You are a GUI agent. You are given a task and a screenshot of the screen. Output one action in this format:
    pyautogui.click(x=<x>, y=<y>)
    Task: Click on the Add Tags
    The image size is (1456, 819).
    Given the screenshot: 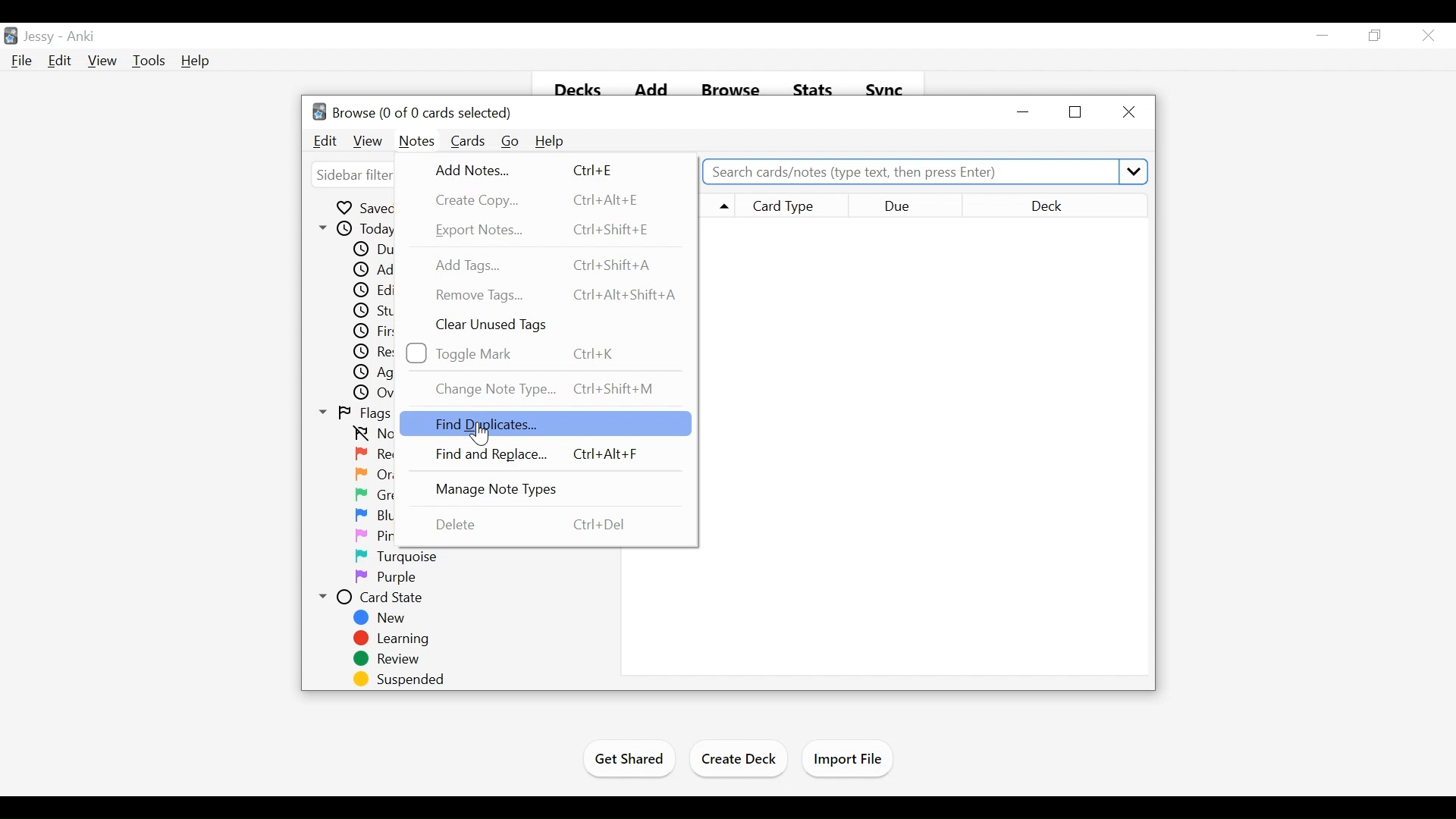 What is the action you would take?
    pyautogui.click(x=542, y=265)
    